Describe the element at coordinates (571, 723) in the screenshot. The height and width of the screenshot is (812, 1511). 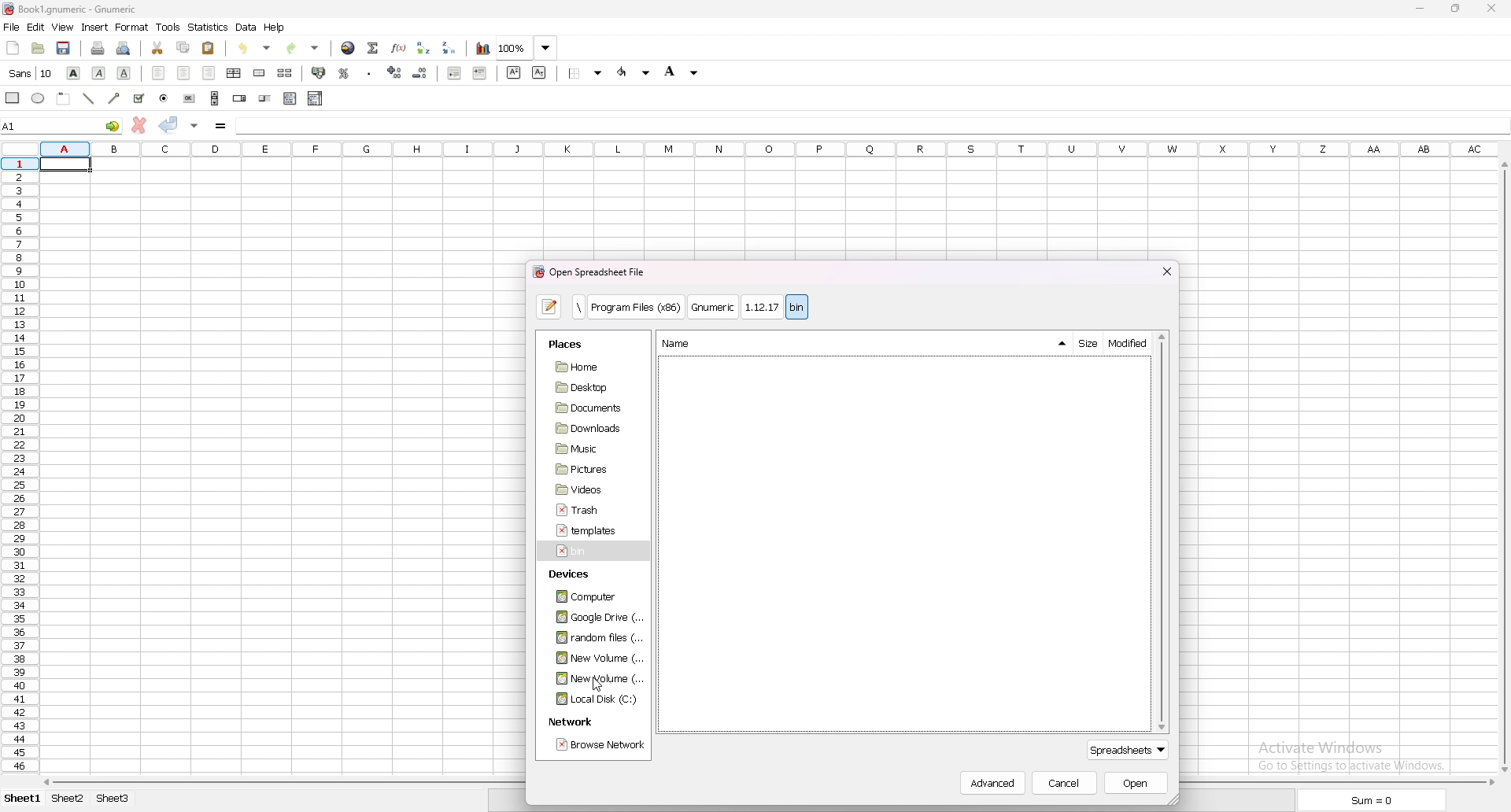
I see `network` at that location.